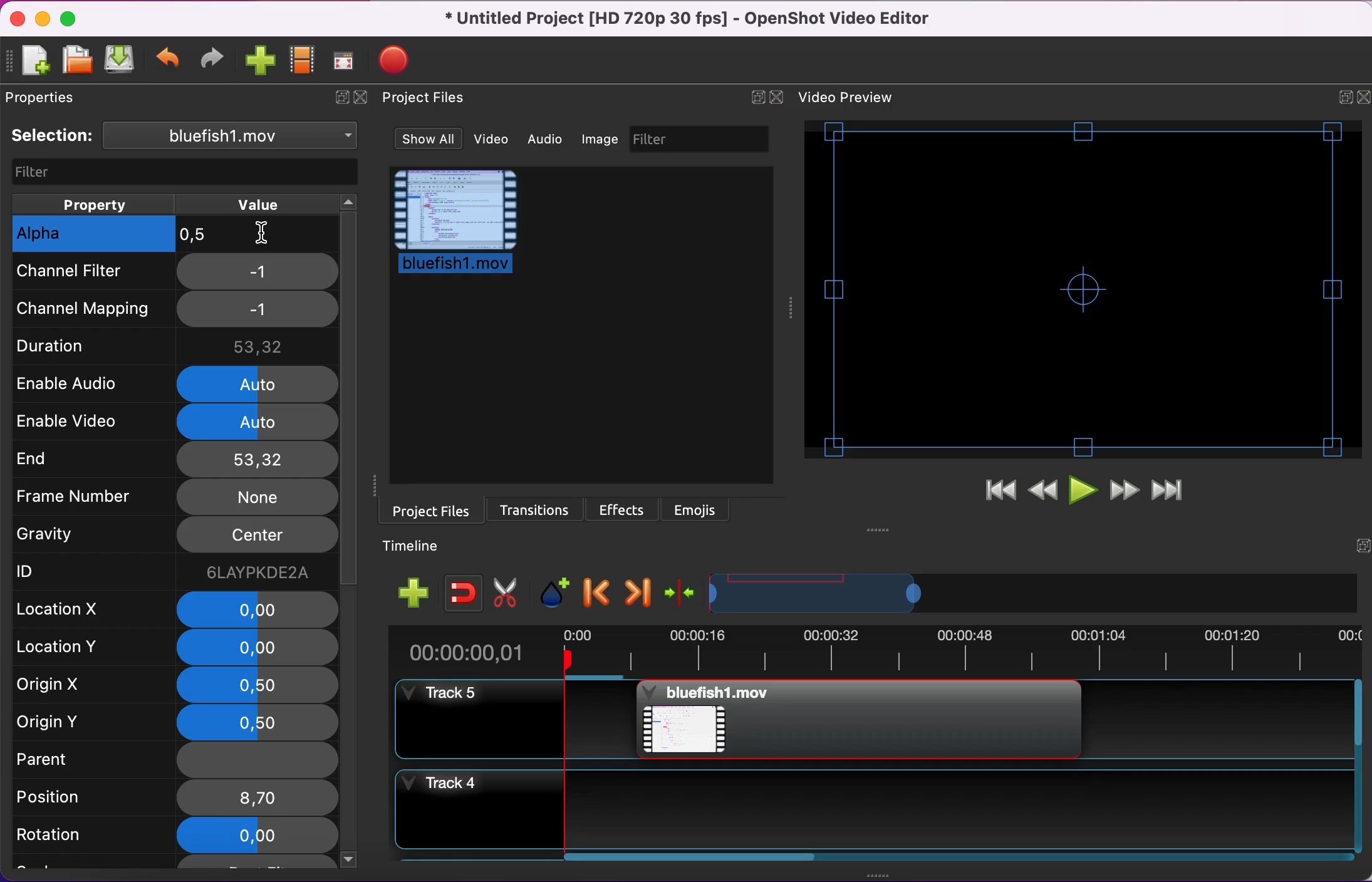 The height and width of the screenshot is (882, 1372). What do you see at coordinates (551, 140) in the screenshot?
I see `audio` at bounding box center [551, 140].